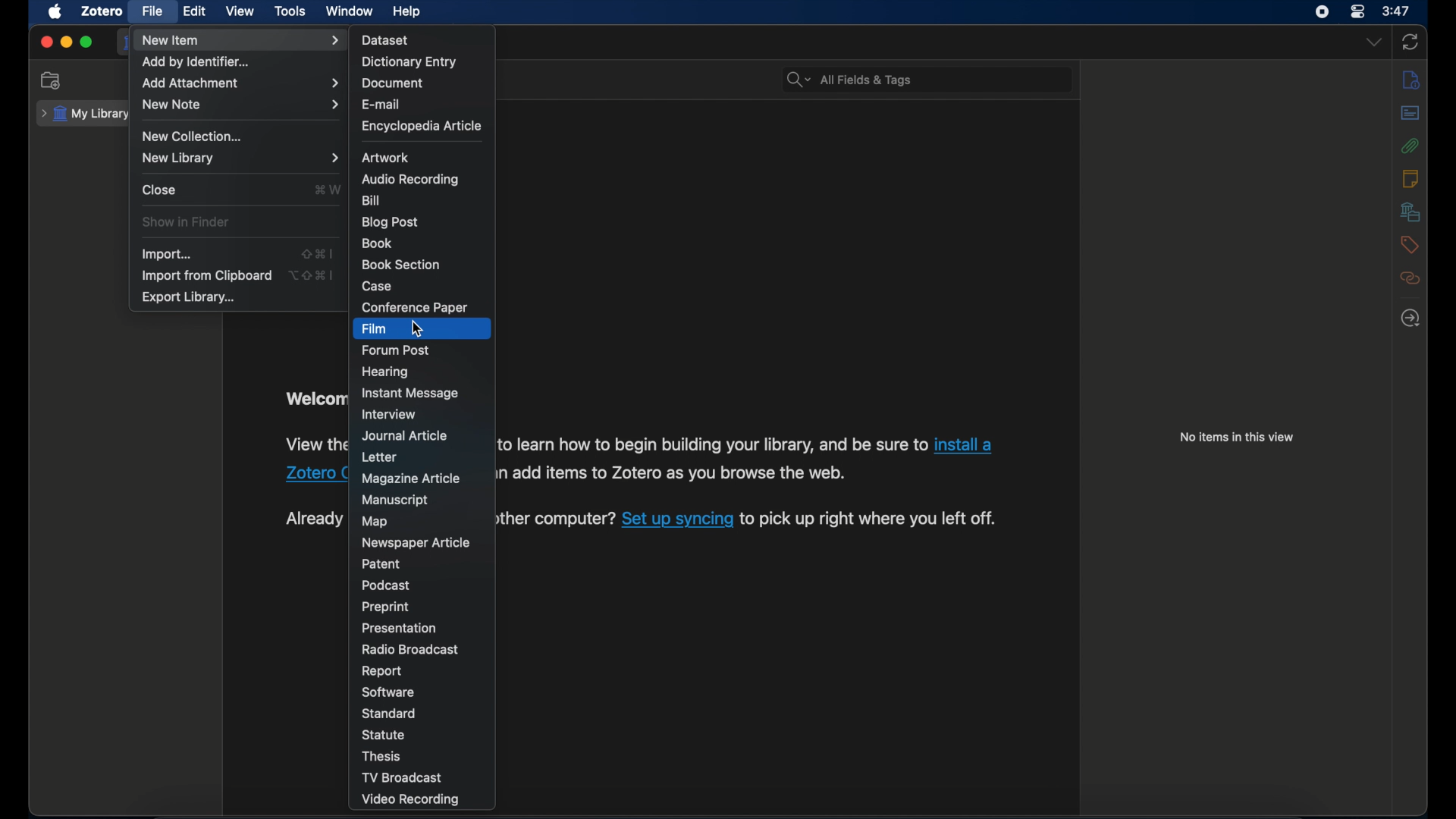 The width and height of the screenshot is (1456, 819). I want to click on cursor, so click(416, 330).